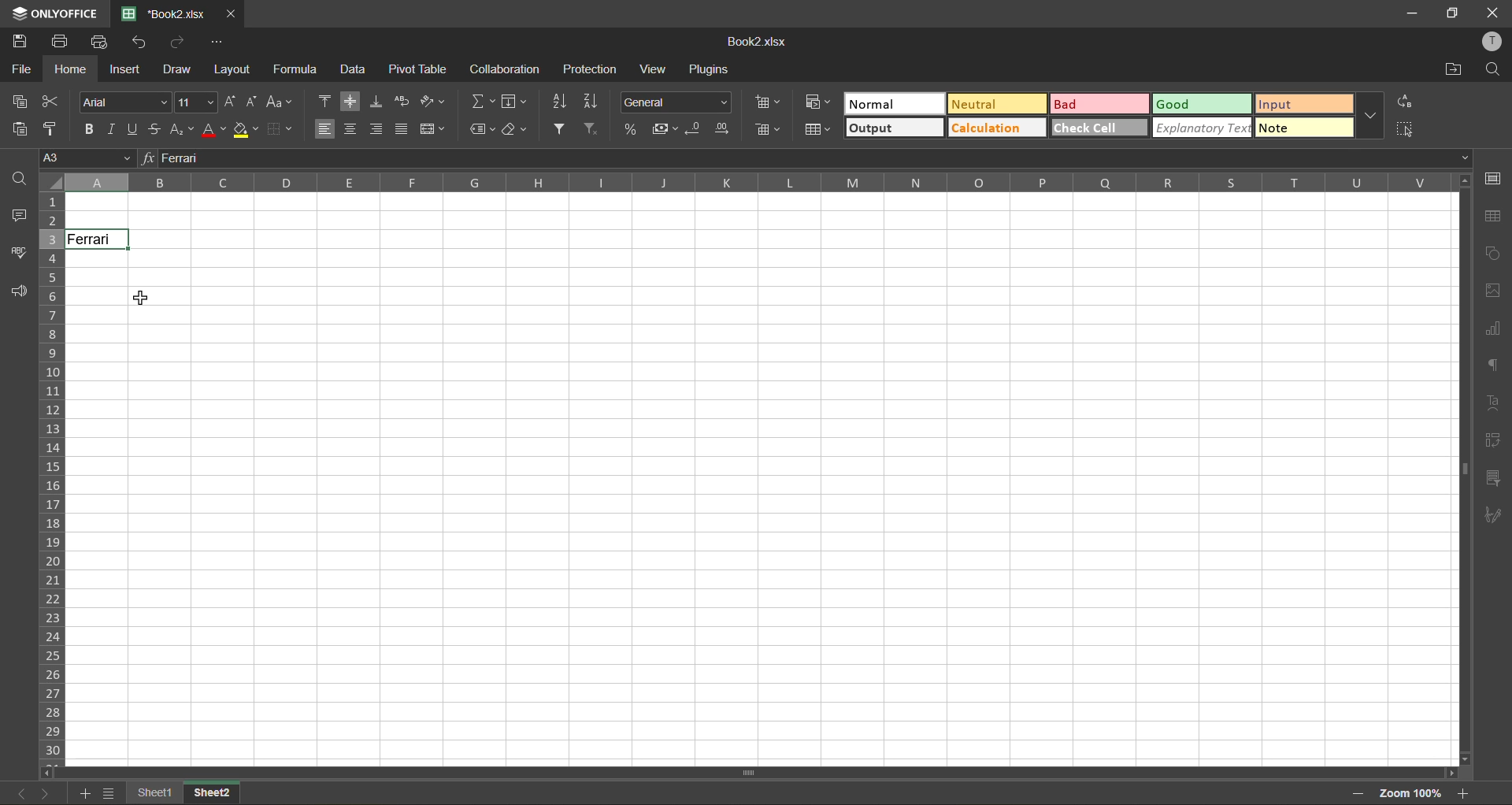 Image resolution: width=1512 pixels, height=805 pixels. I want to click on conditional formatting, so click(818, 100).